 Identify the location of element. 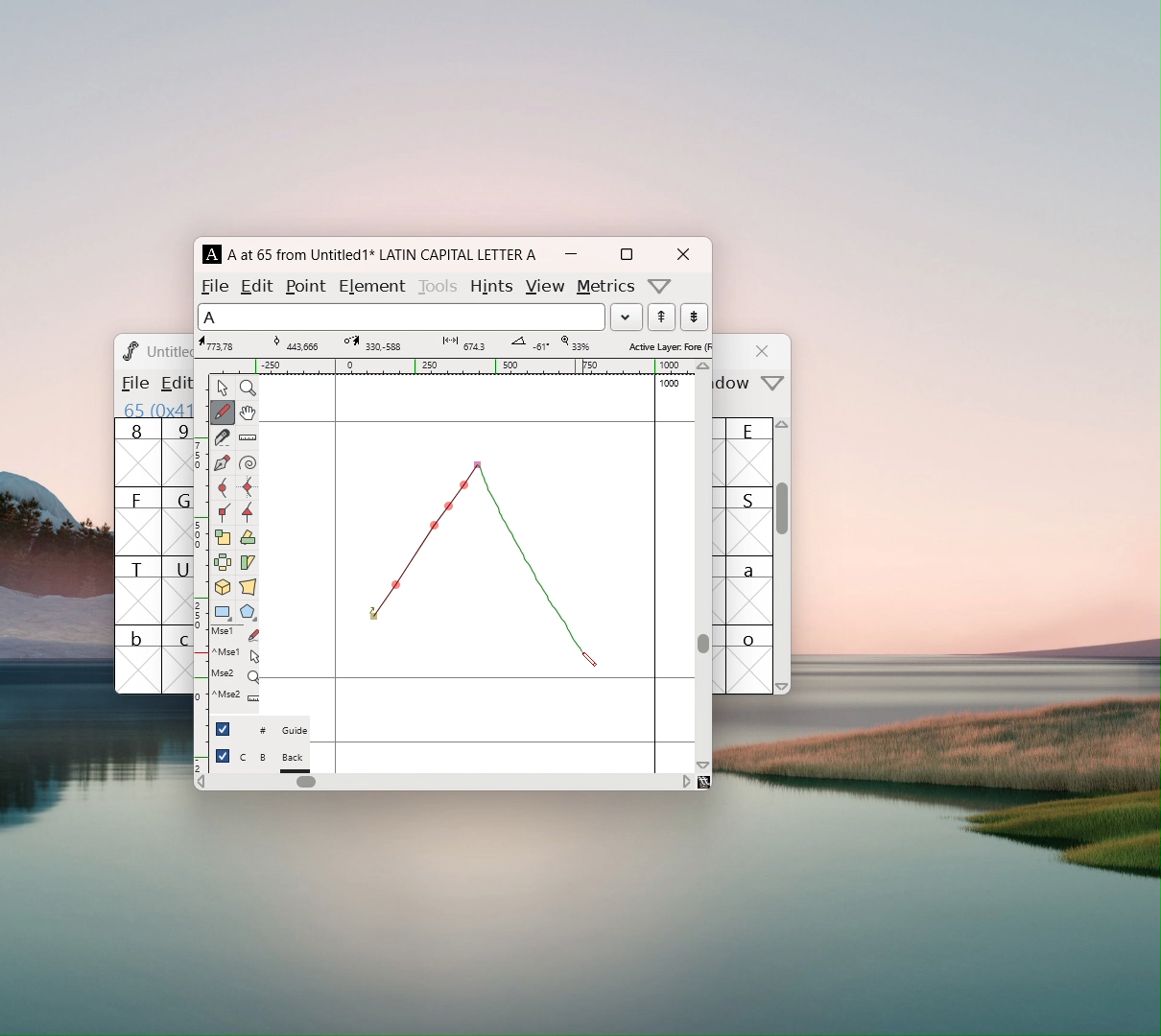
(371, 284).